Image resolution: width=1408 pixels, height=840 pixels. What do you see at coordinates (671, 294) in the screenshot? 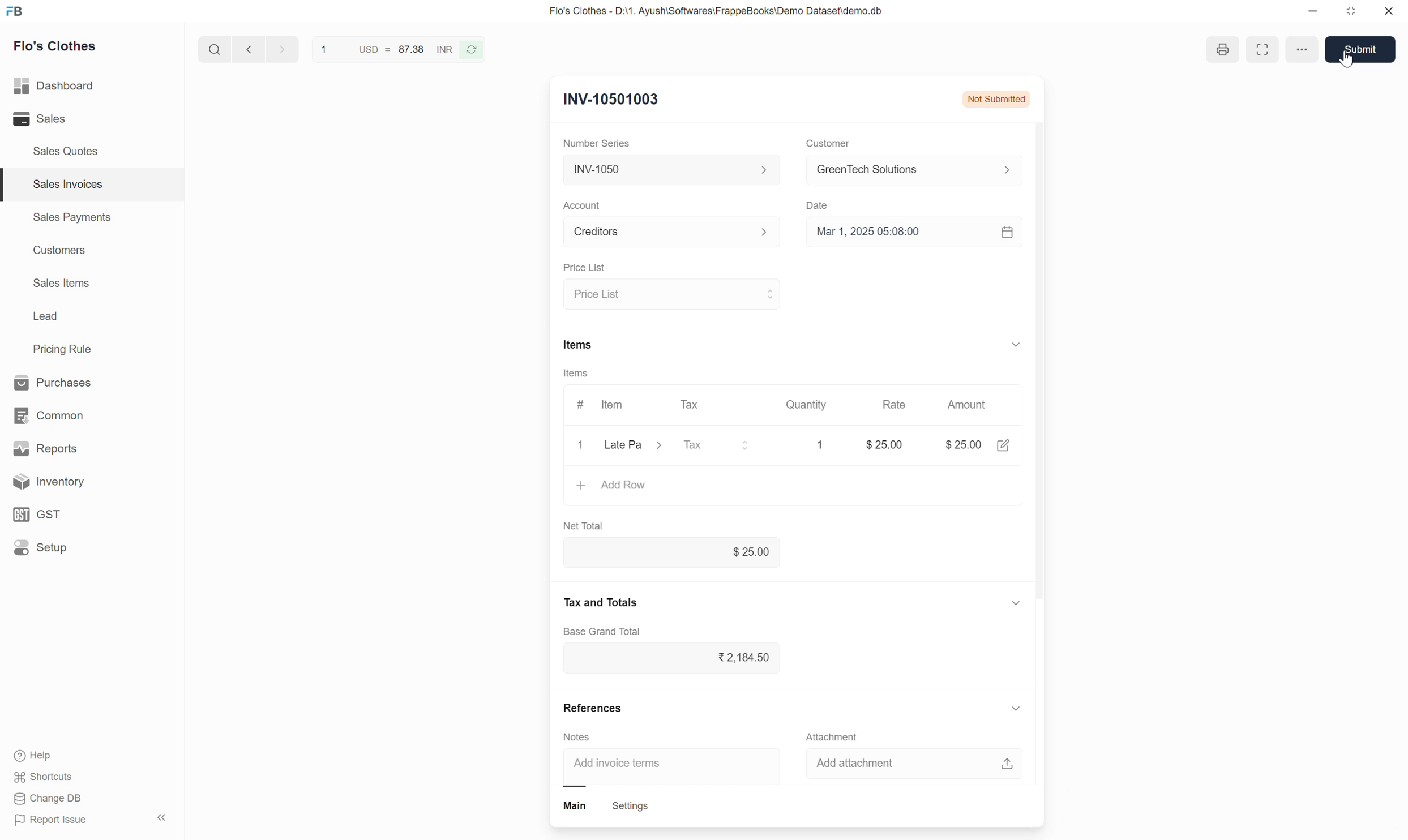
I see `select price list ` at bounding box center [671, 294].